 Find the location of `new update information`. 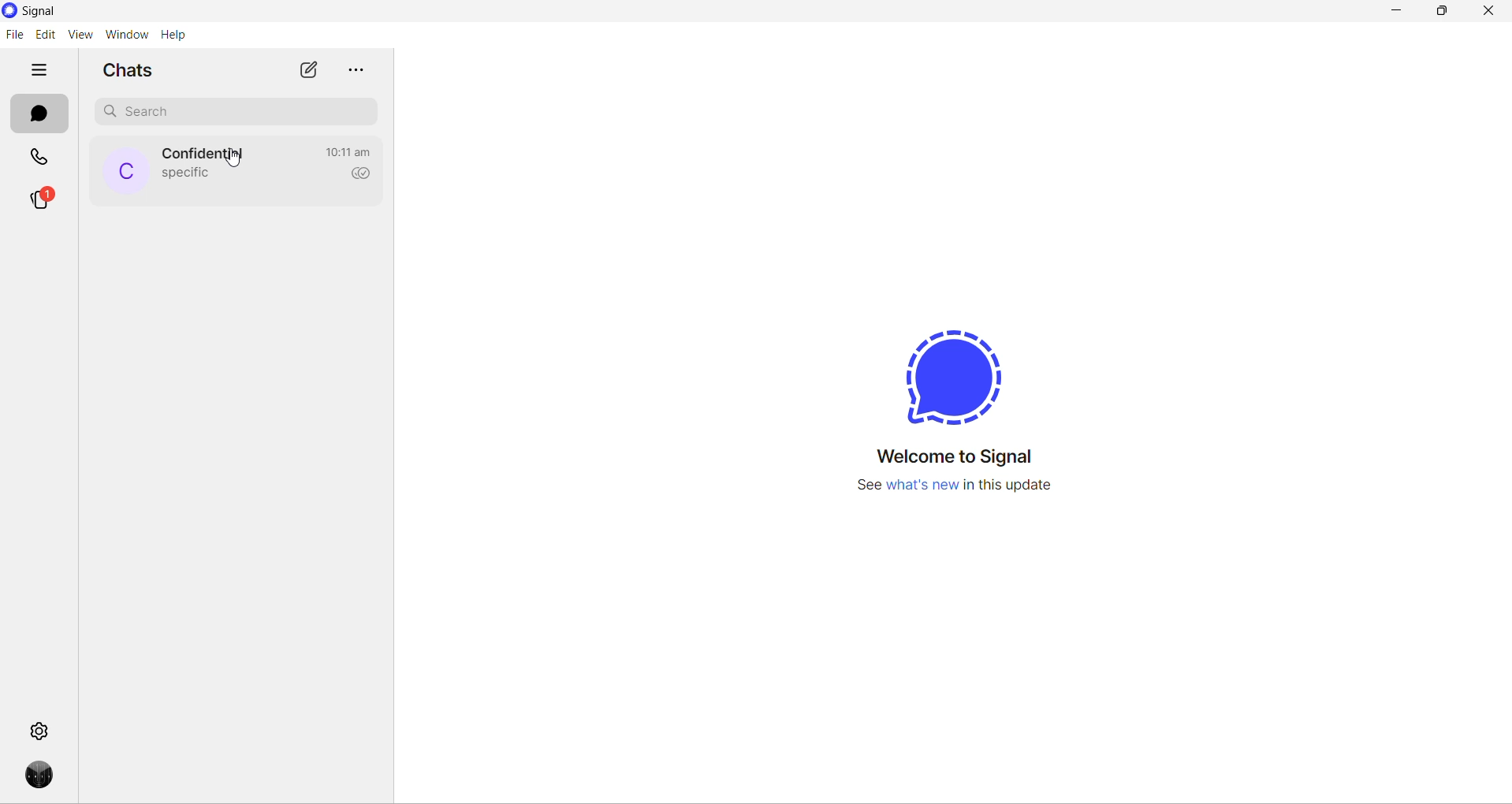

new update information is located at coordinates (966, 488).